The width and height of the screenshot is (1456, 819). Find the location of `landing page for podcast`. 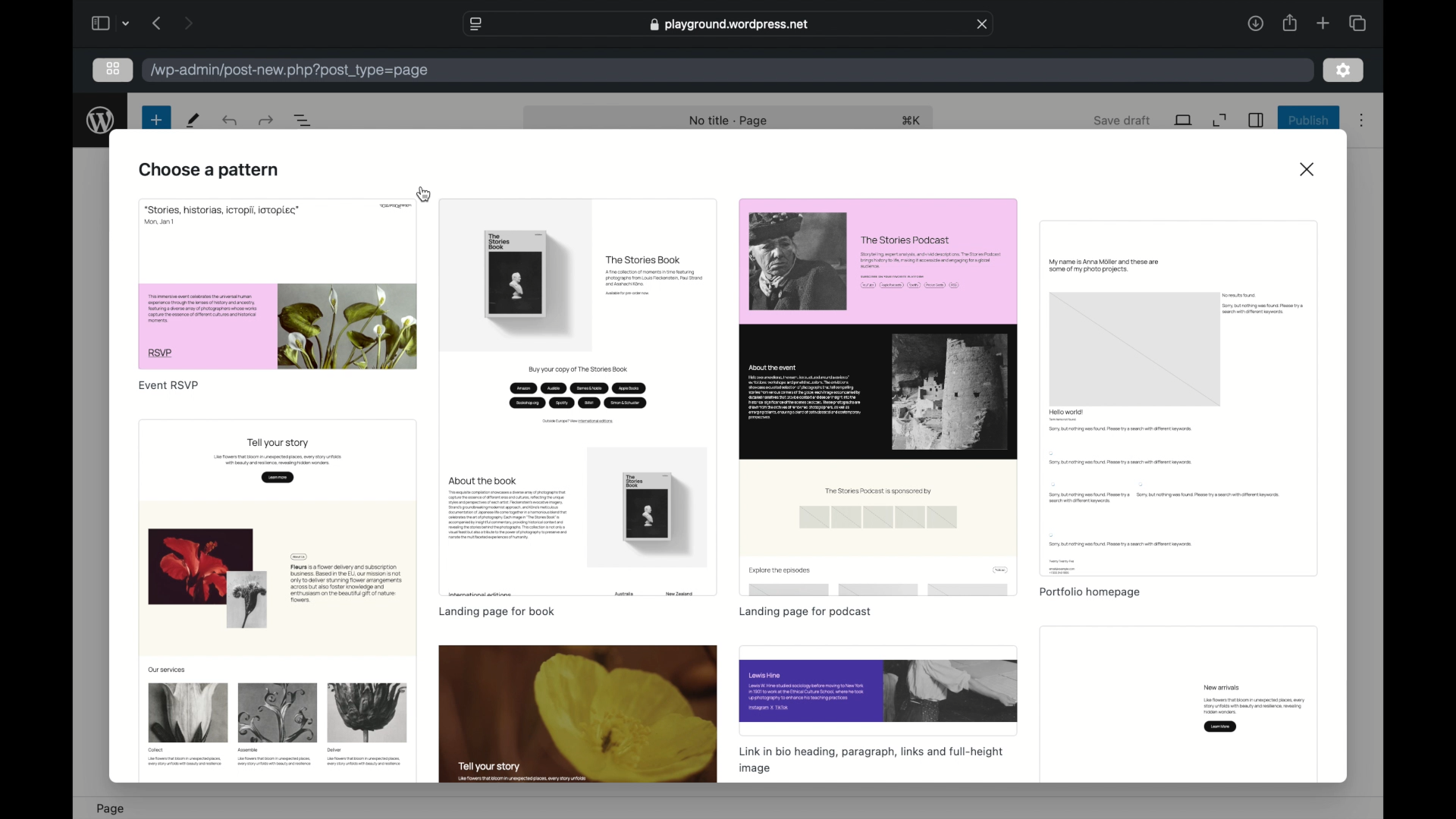

landing page for podcast is located at coordinates (808, 613).